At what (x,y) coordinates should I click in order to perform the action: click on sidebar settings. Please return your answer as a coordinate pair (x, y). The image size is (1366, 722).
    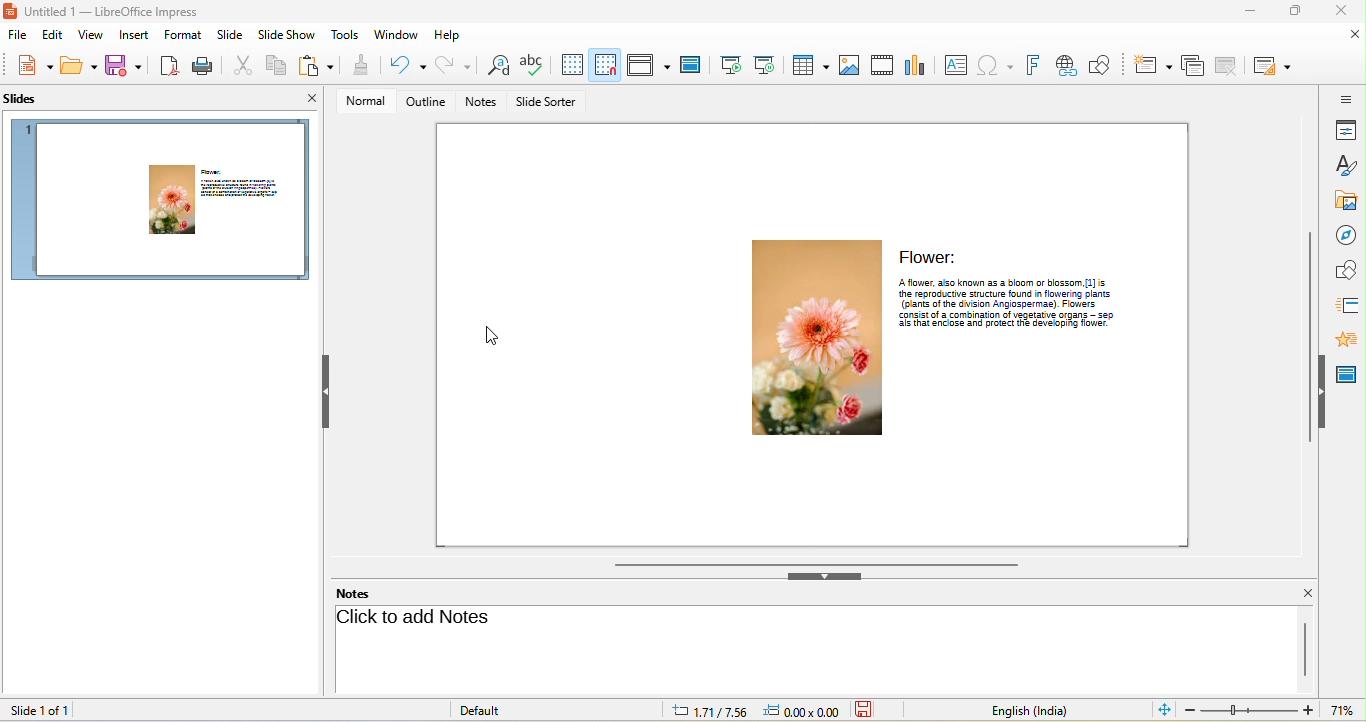
    Looking at the image, I should click on (1347, 97).